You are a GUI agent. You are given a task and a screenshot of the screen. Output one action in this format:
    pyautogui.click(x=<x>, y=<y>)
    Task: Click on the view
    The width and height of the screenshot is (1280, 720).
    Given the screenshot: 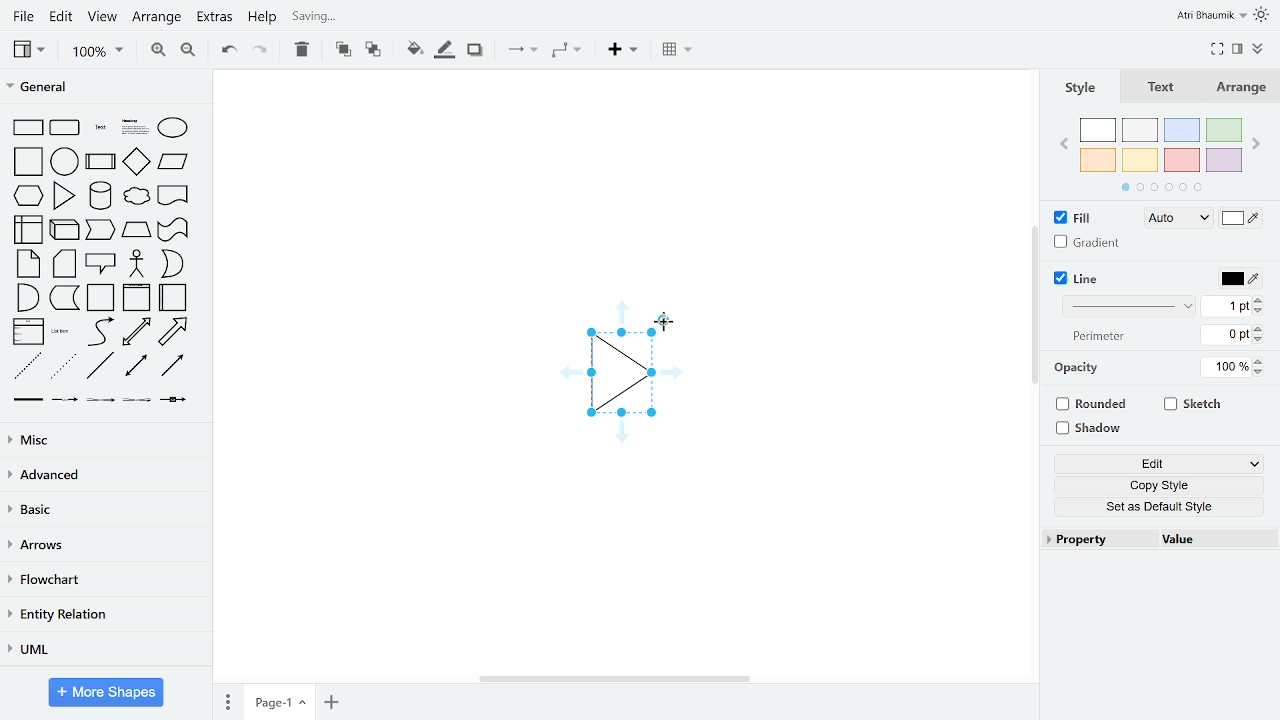 What is the action you would take?
    pyautogui.click(x=104, y=17)
    